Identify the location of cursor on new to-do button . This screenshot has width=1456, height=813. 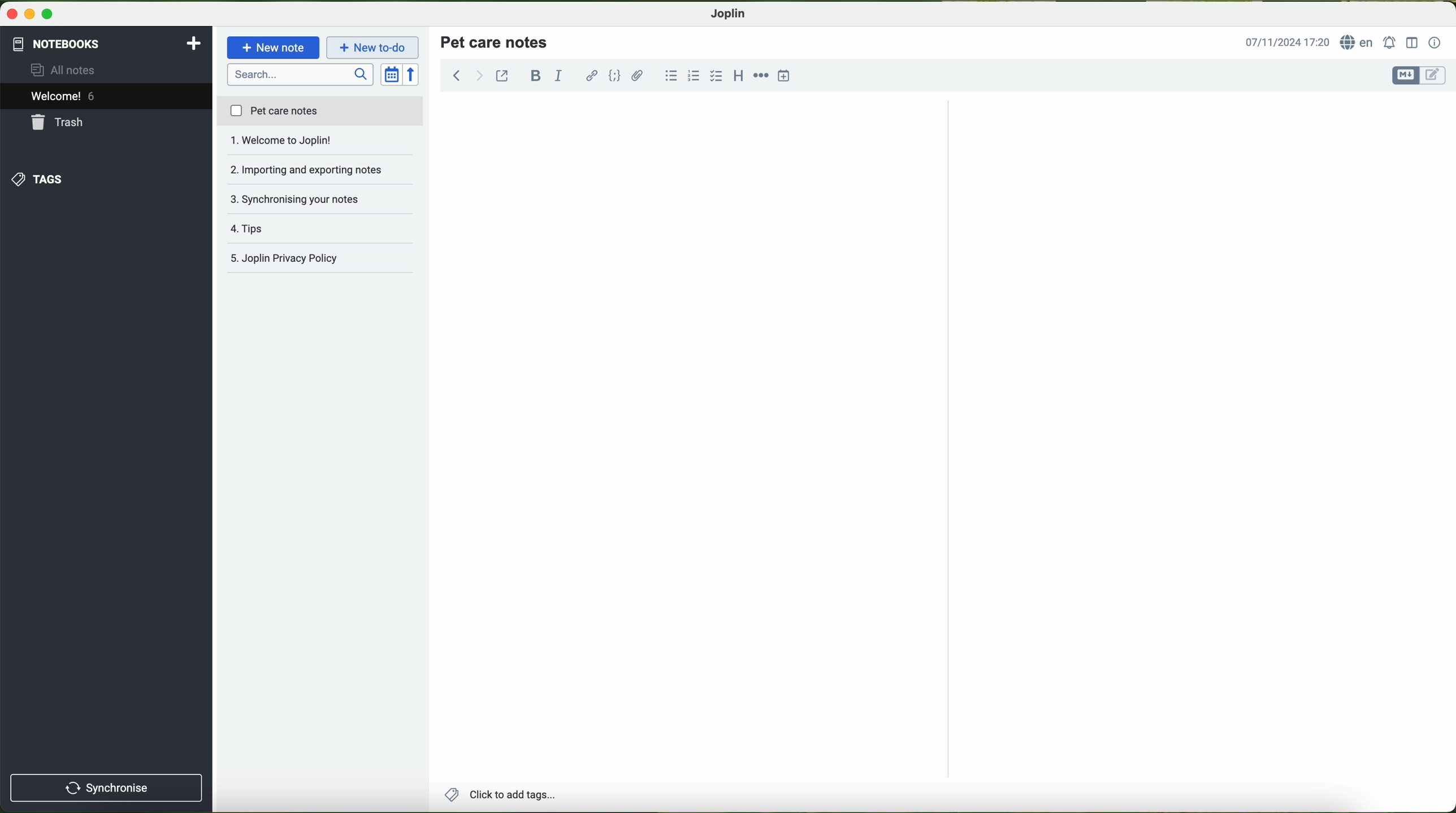
(374, 48).